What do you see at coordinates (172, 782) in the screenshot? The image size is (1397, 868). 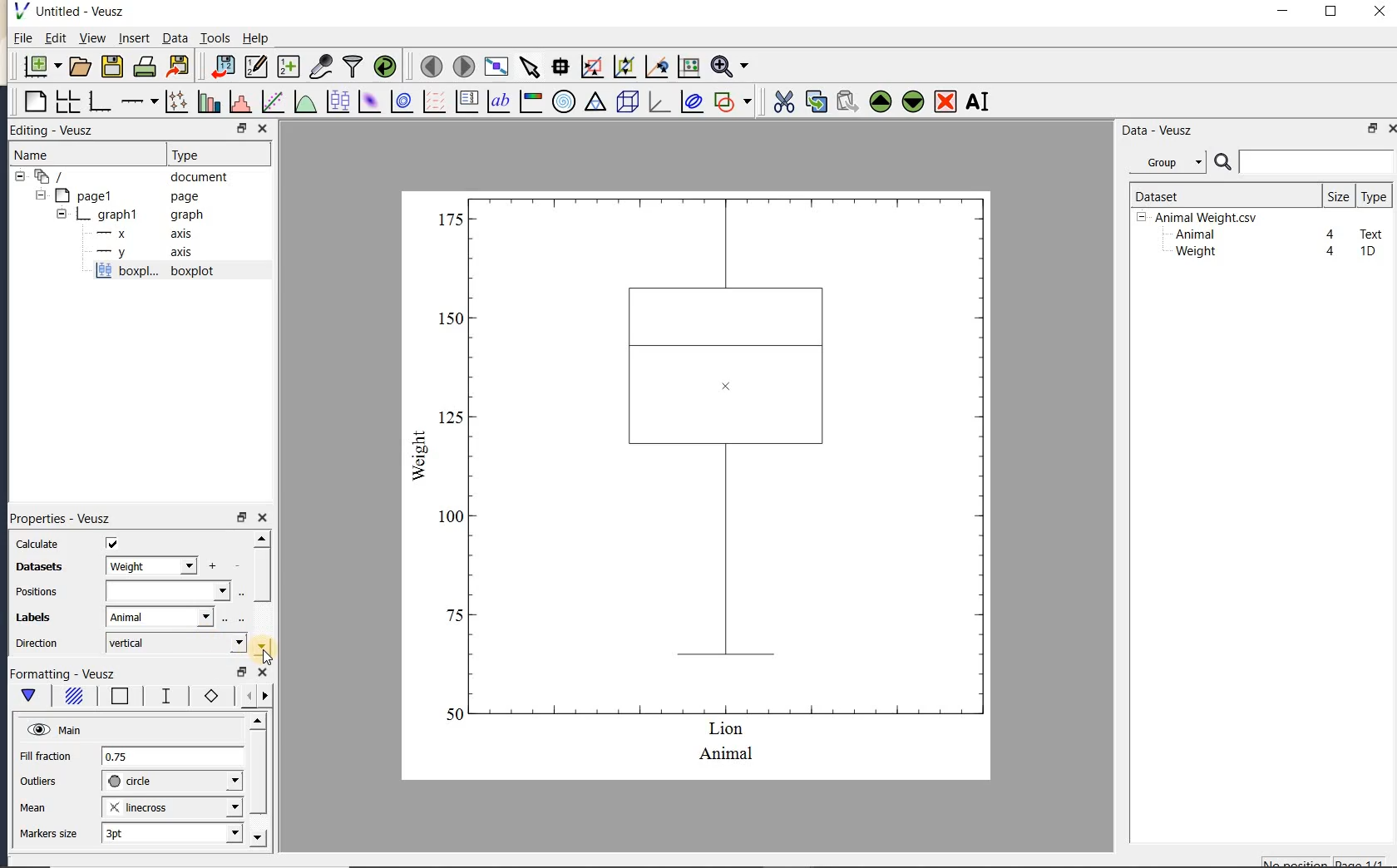 I see `circle` at bounding box center [172, 782].